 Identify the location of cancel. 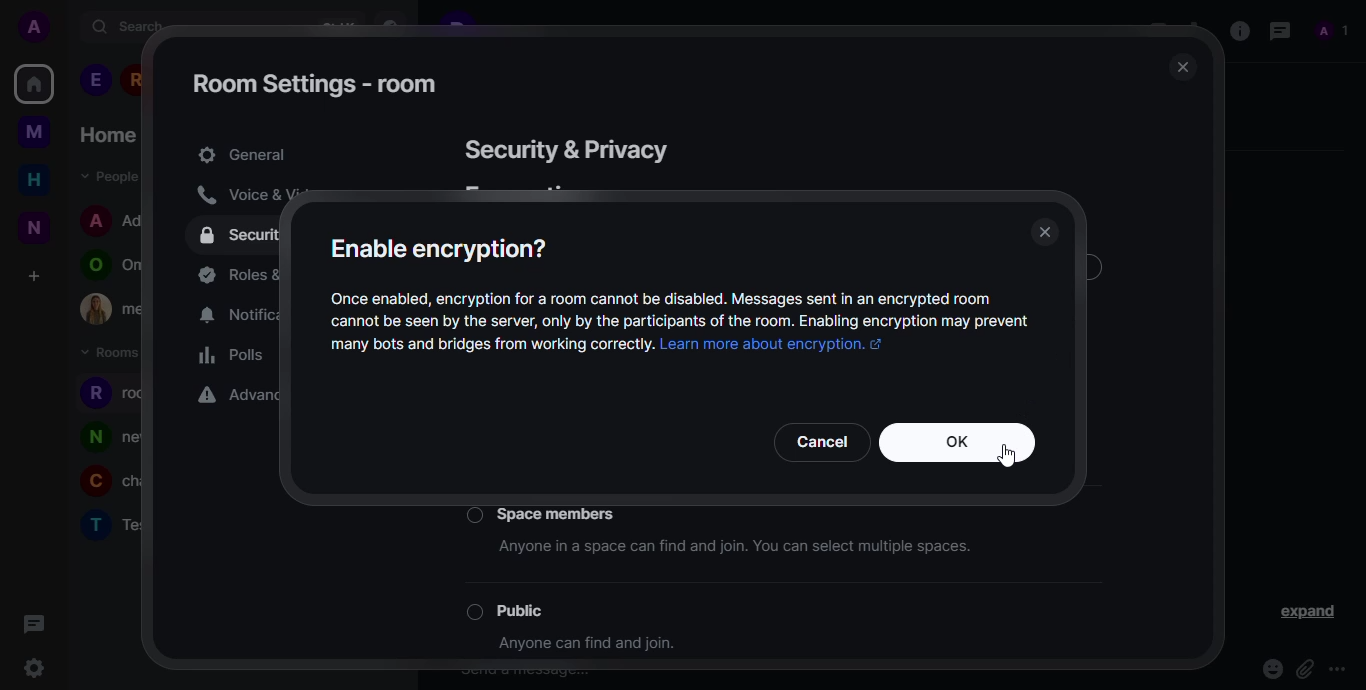
(822, 440).